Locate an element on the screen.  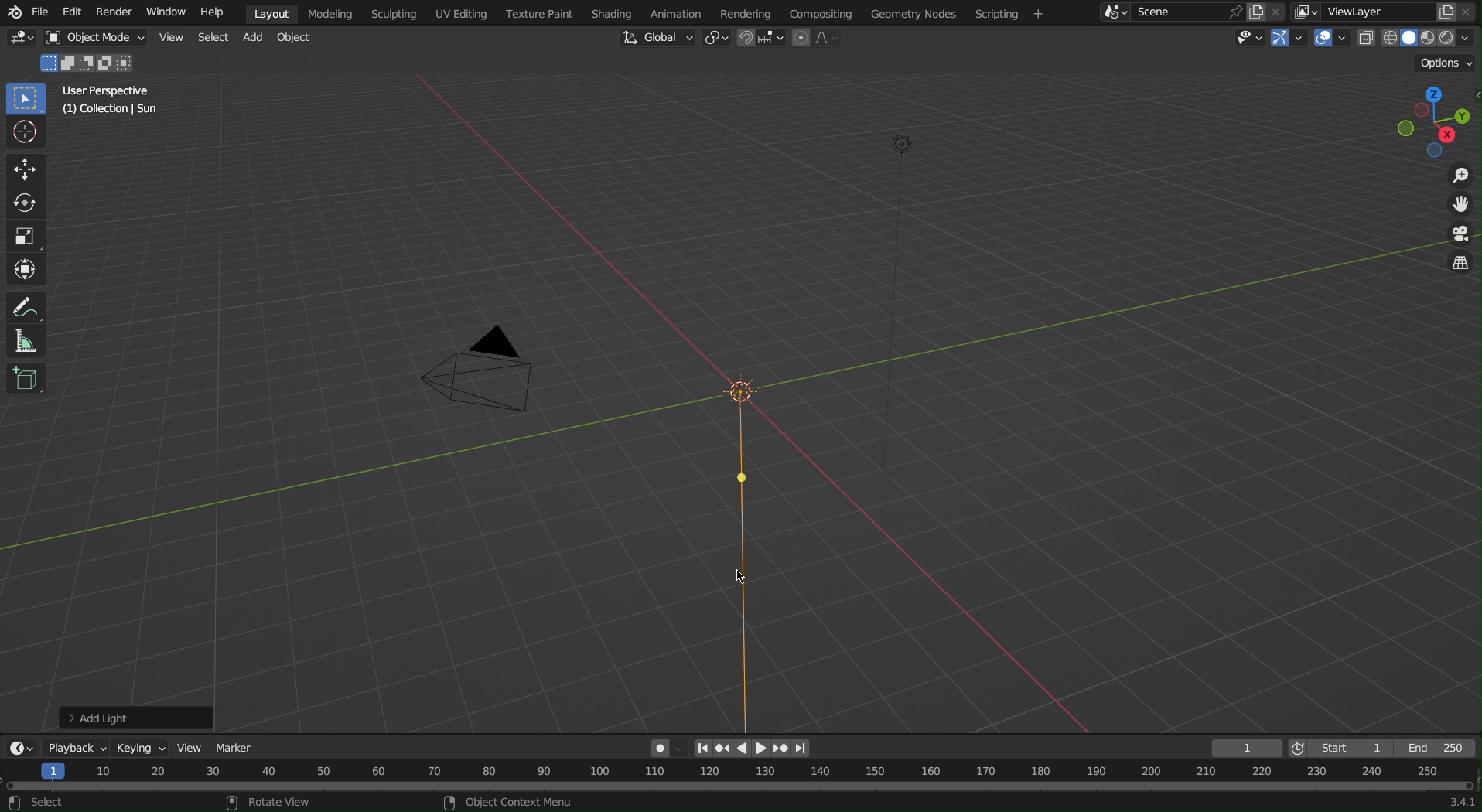
File is located at coordinates (42, 14).